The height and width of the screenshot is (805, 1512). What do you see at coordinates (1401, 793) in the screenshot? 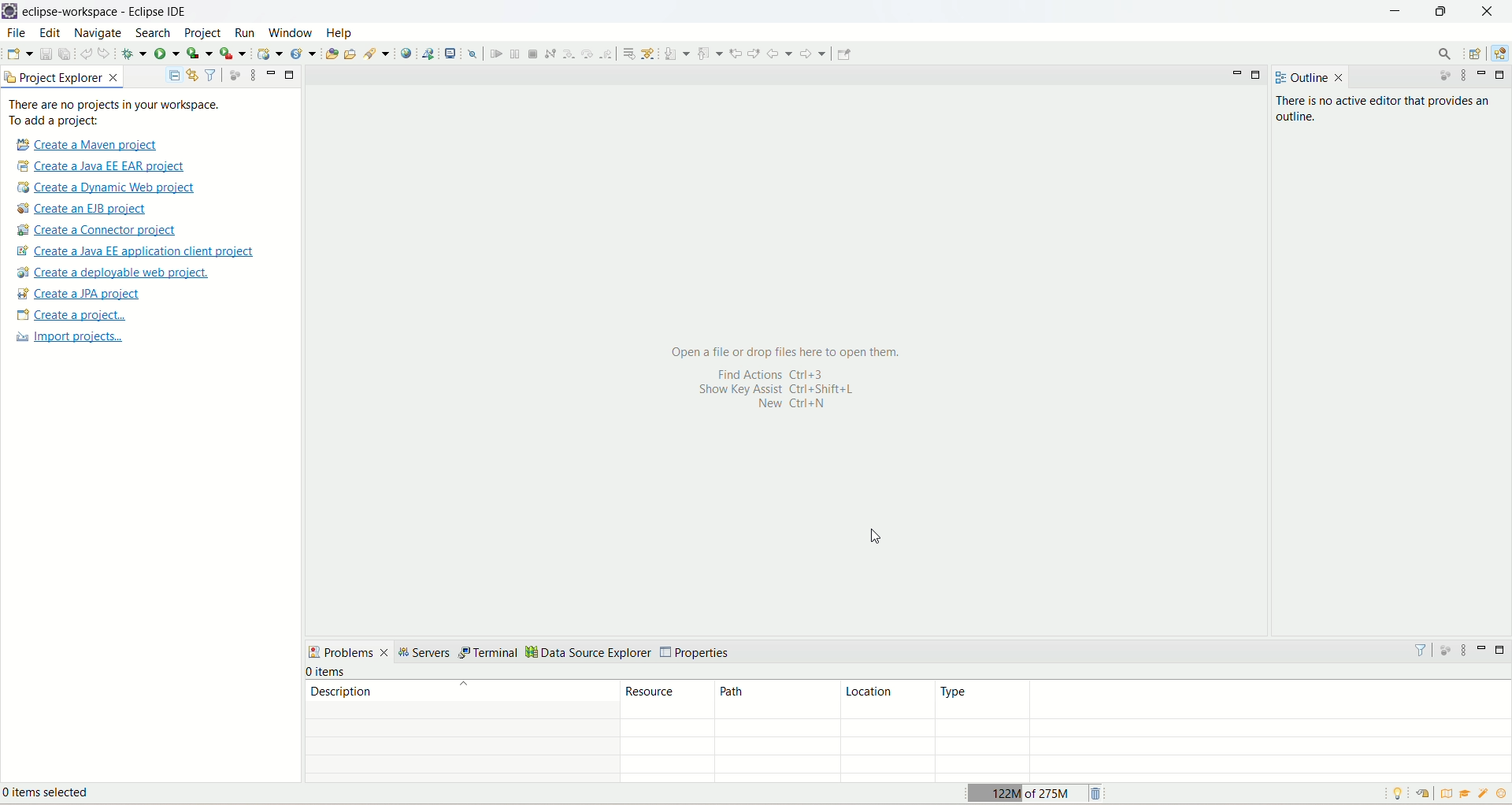
I see `tip of the day` at bounding box center [1401, 793].